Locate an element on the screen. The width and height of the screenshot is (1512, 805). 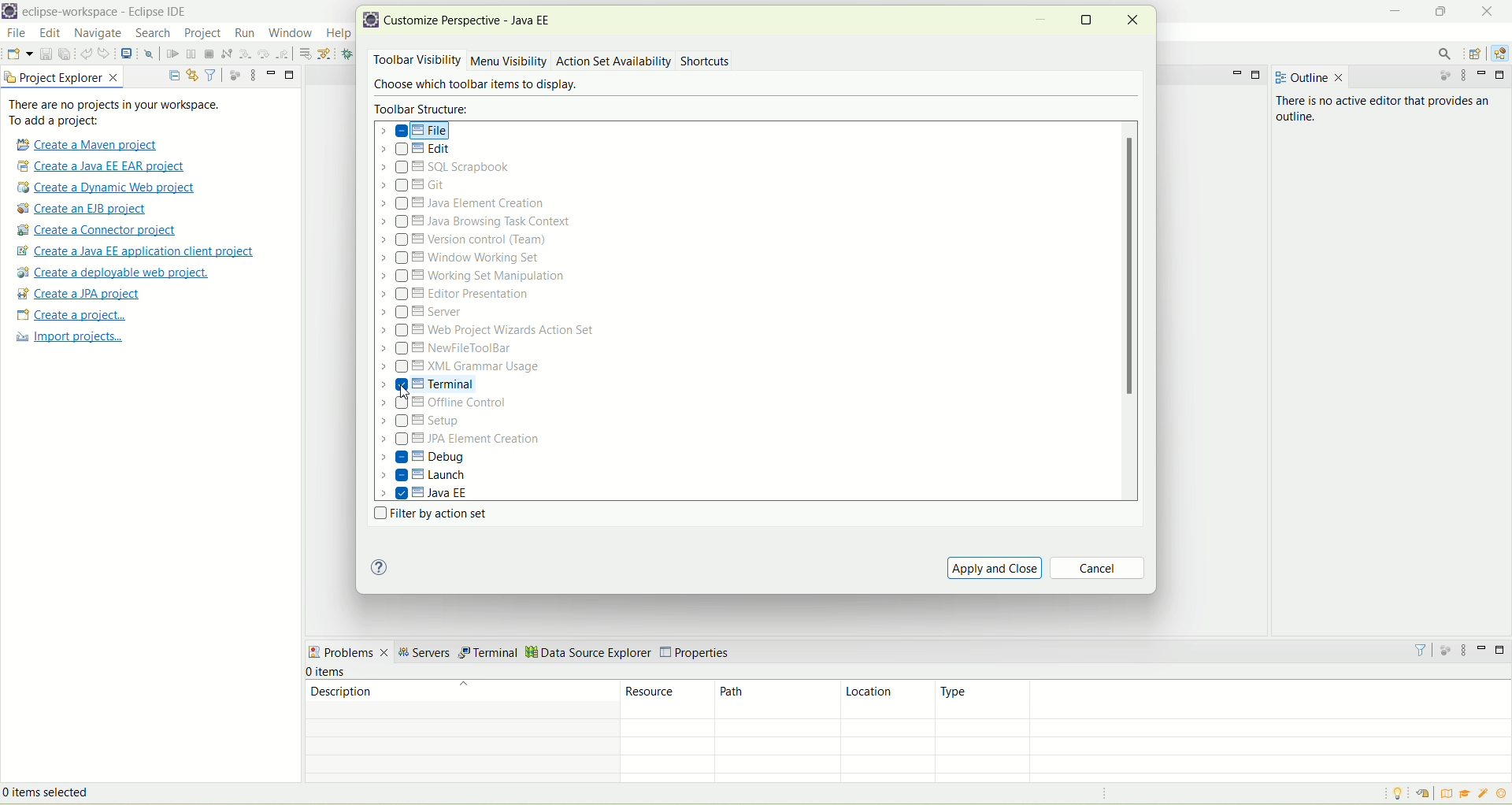
project is located at coordinates (202, 33).